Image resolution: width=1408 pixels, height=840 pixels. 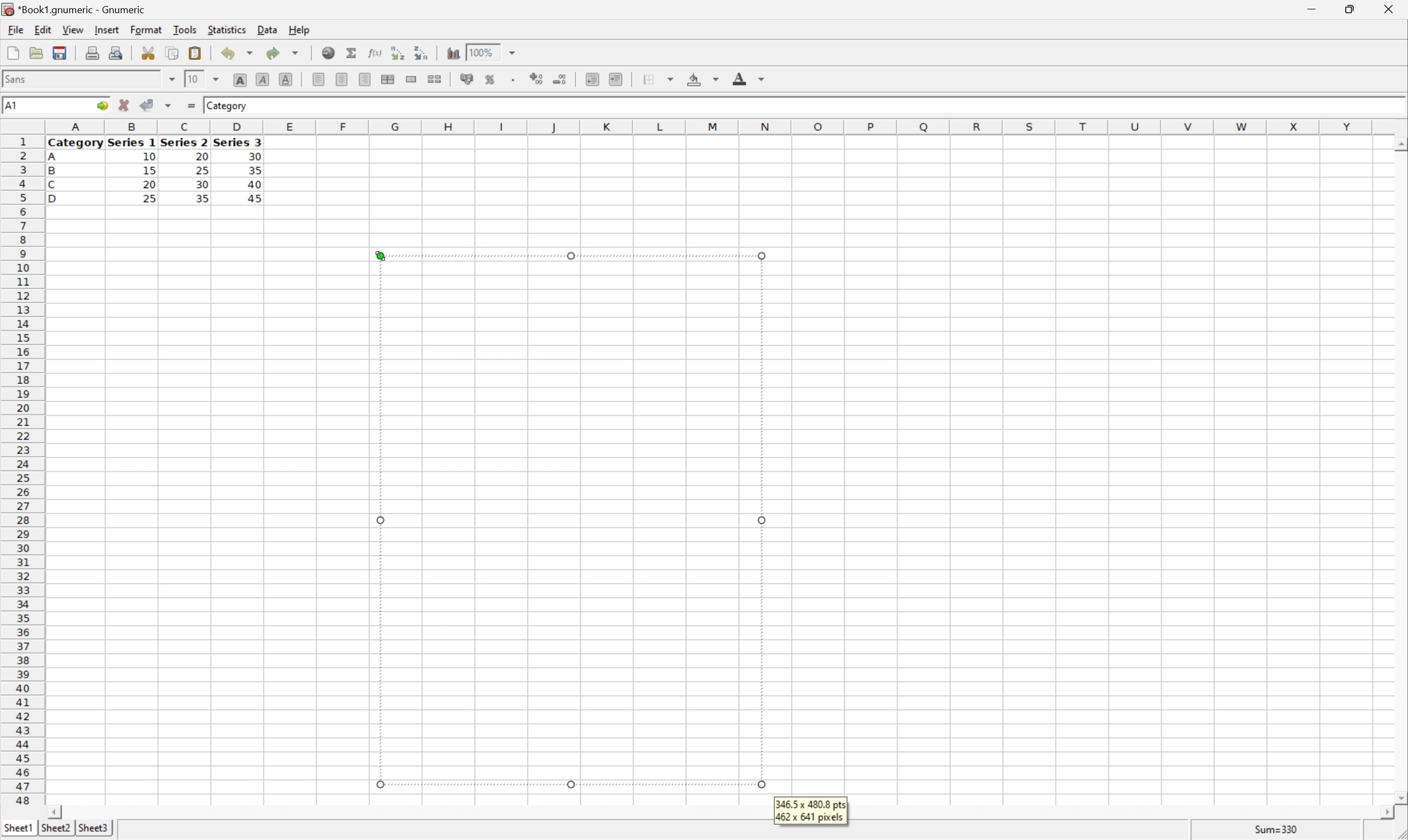 What do you see at coordinates (410, 79) in the screenshot?
I see `Merge a range of cells` at bounding box center [410, 79].